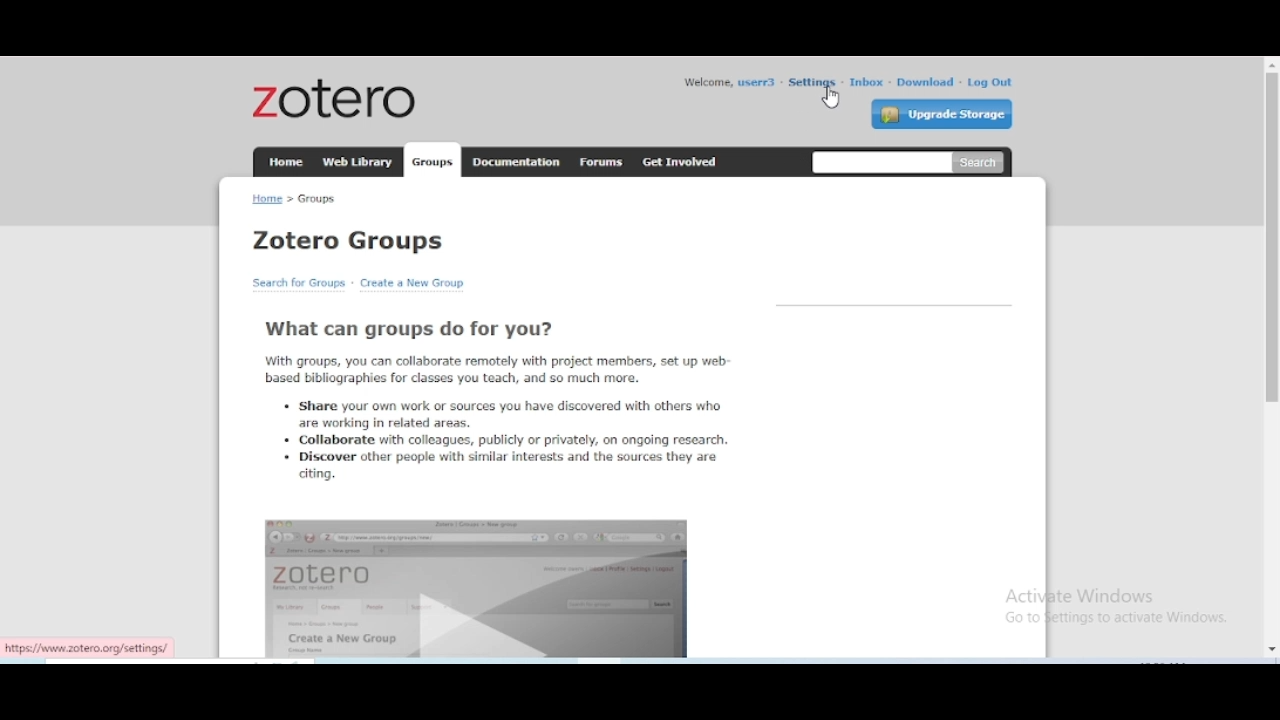 The height and width of the screenshot is (720, 1280). I want to click on inbox, so click(866, 82).